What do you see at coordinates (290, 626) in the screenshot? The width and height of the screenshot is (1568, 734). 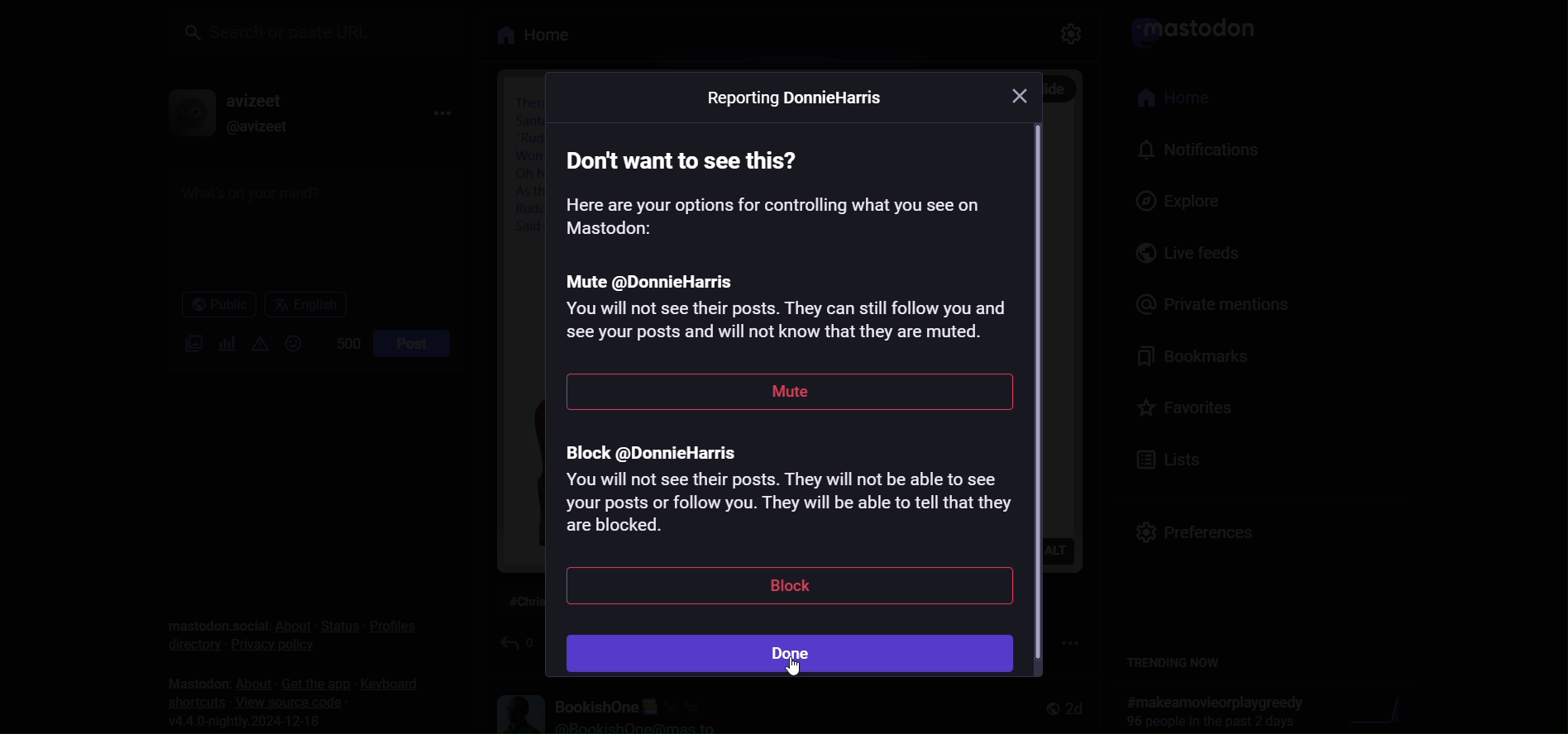 I see `about` at bounding box center [290, 626].